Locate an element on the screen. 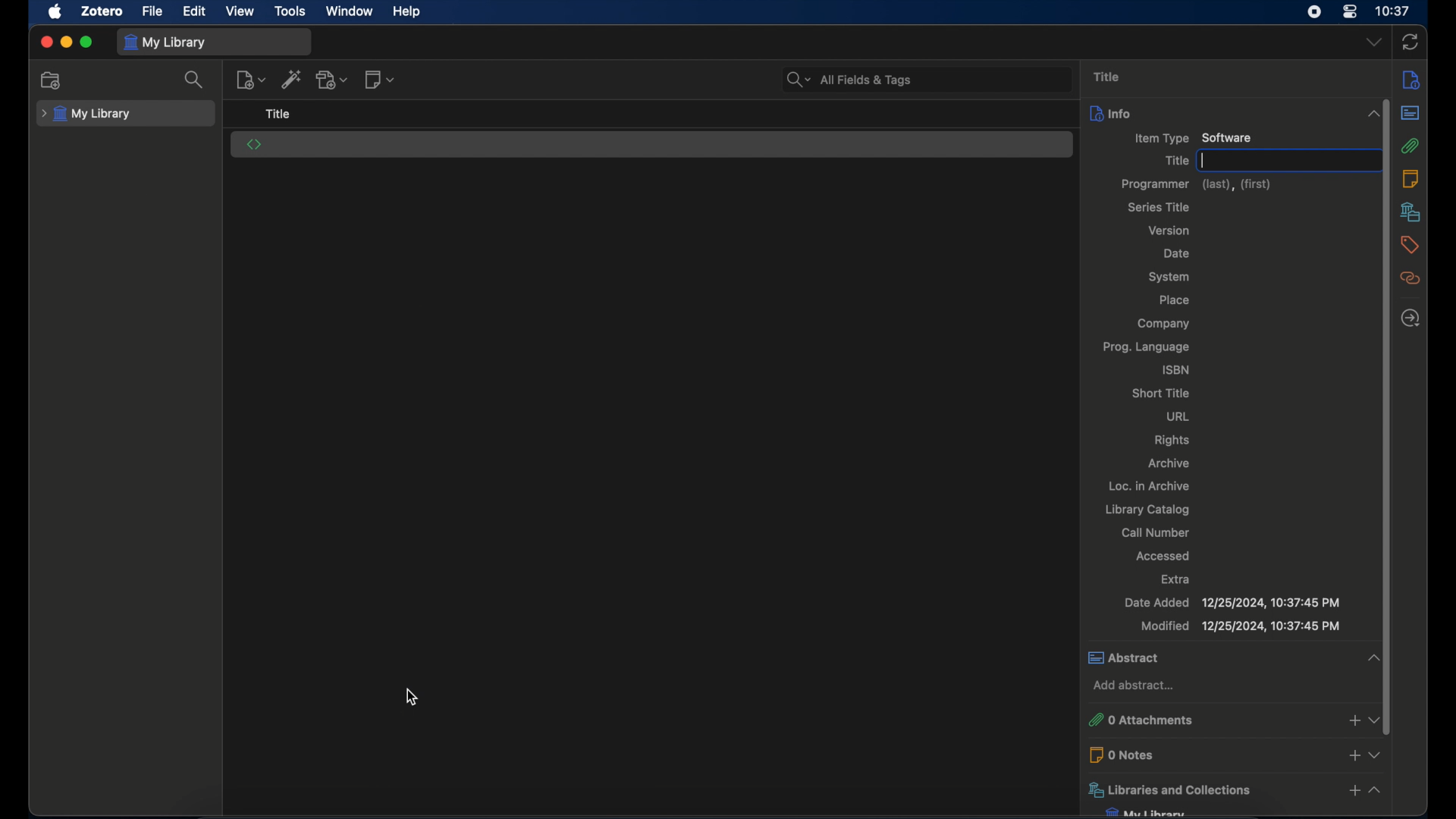 The width and height of the screenshot is (1456, 819). collapse is located at coordinates (1377, 792).